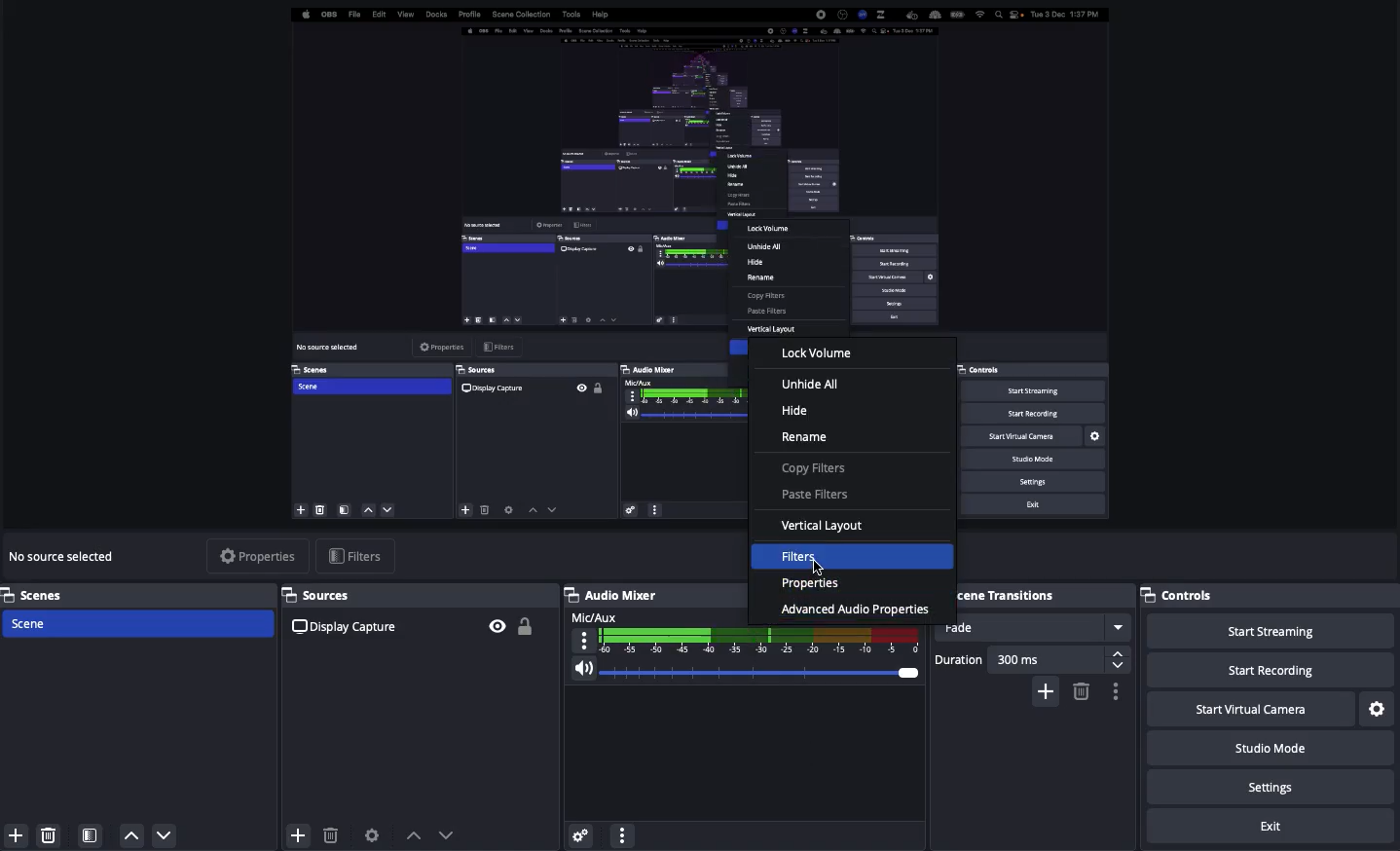  What do you see at coordinates (447, 834) in the screenshot?
I see `Move down` at bounding box center [447, 834].